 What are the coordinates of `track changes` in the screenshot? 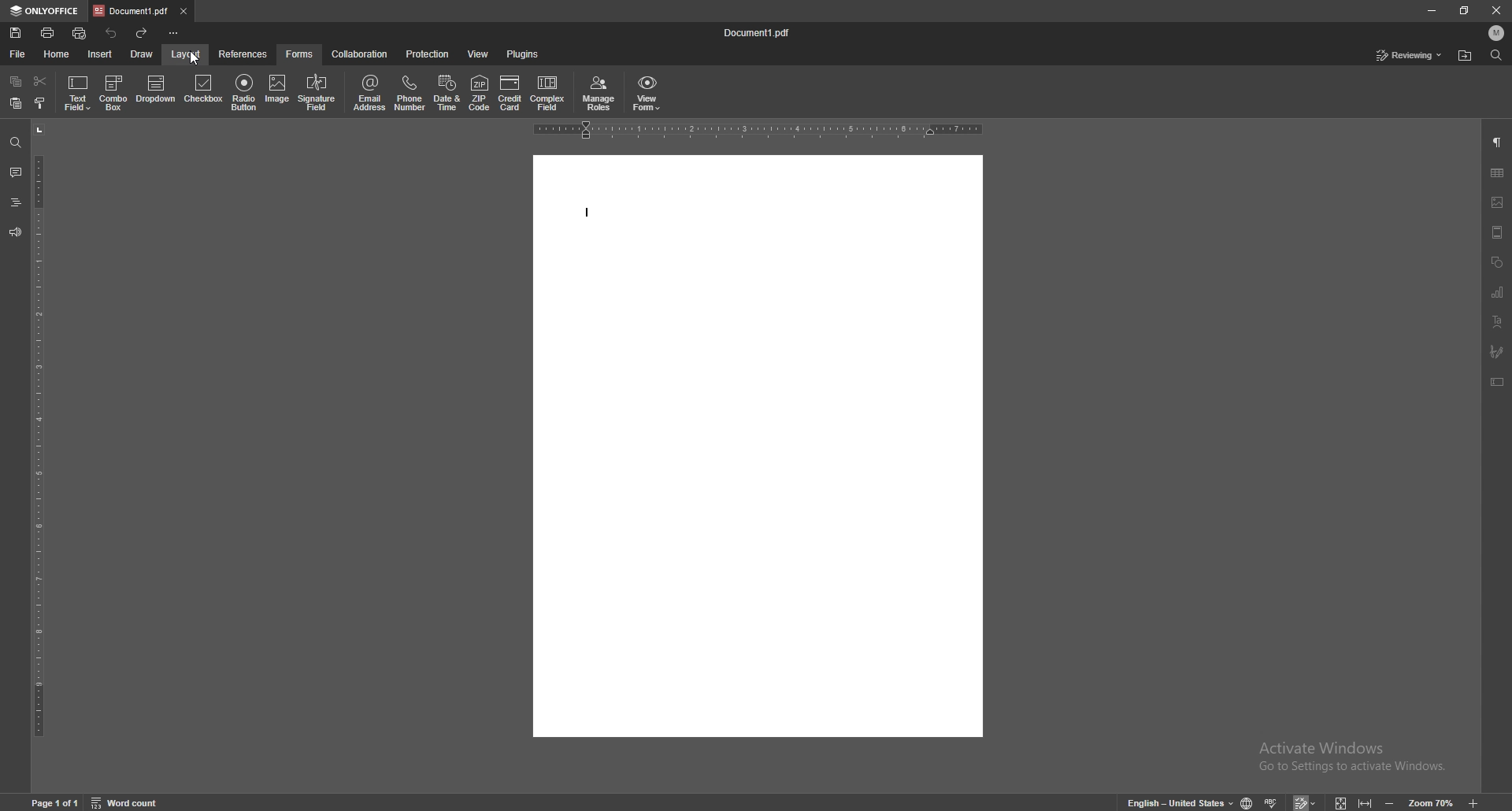 It's located at (1306, 803).